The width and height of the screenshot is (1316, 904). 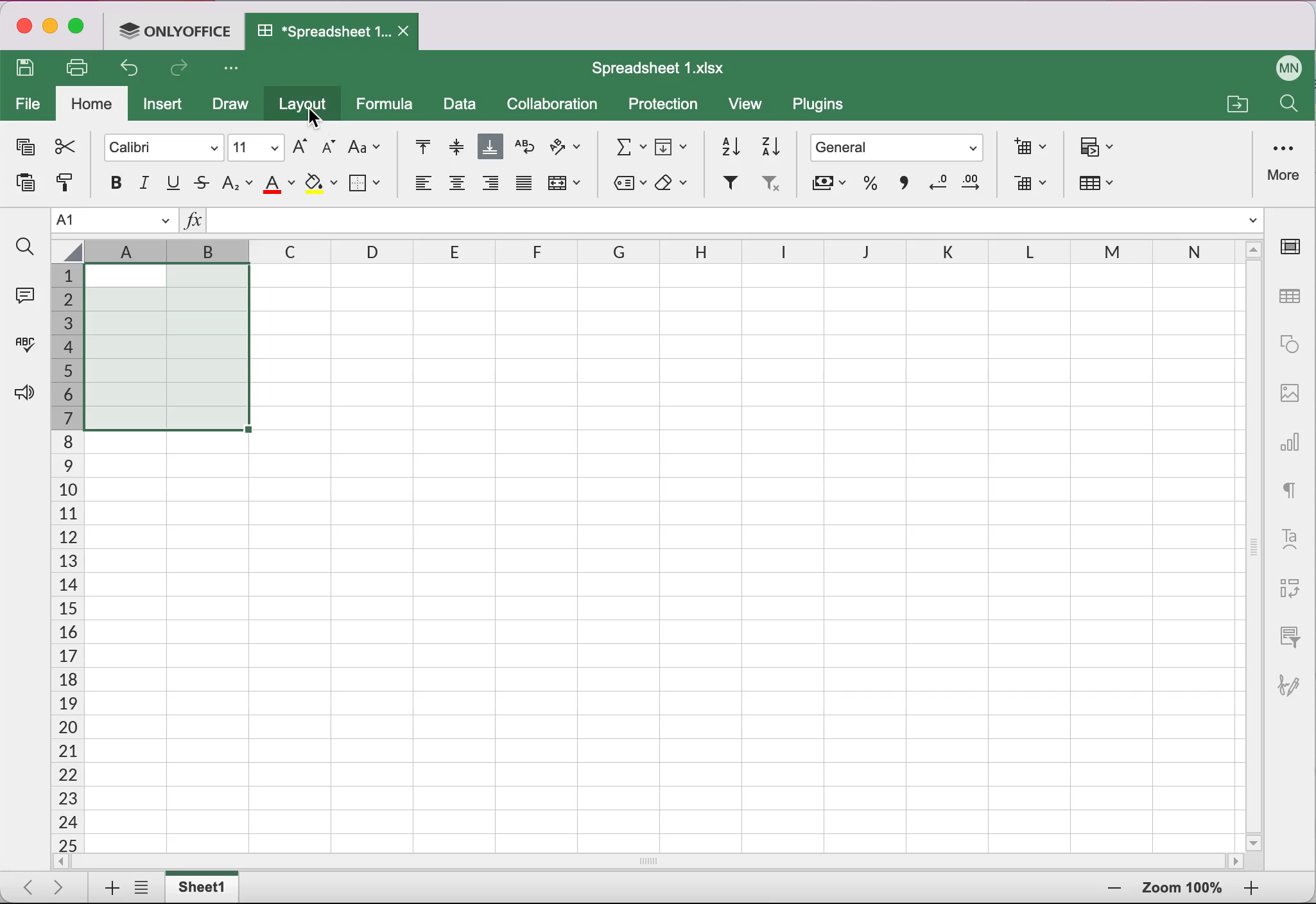 What do you see at coordinates (65, 559) in the screenshot?
I see `number of cells` at bounding box center [65, 559].